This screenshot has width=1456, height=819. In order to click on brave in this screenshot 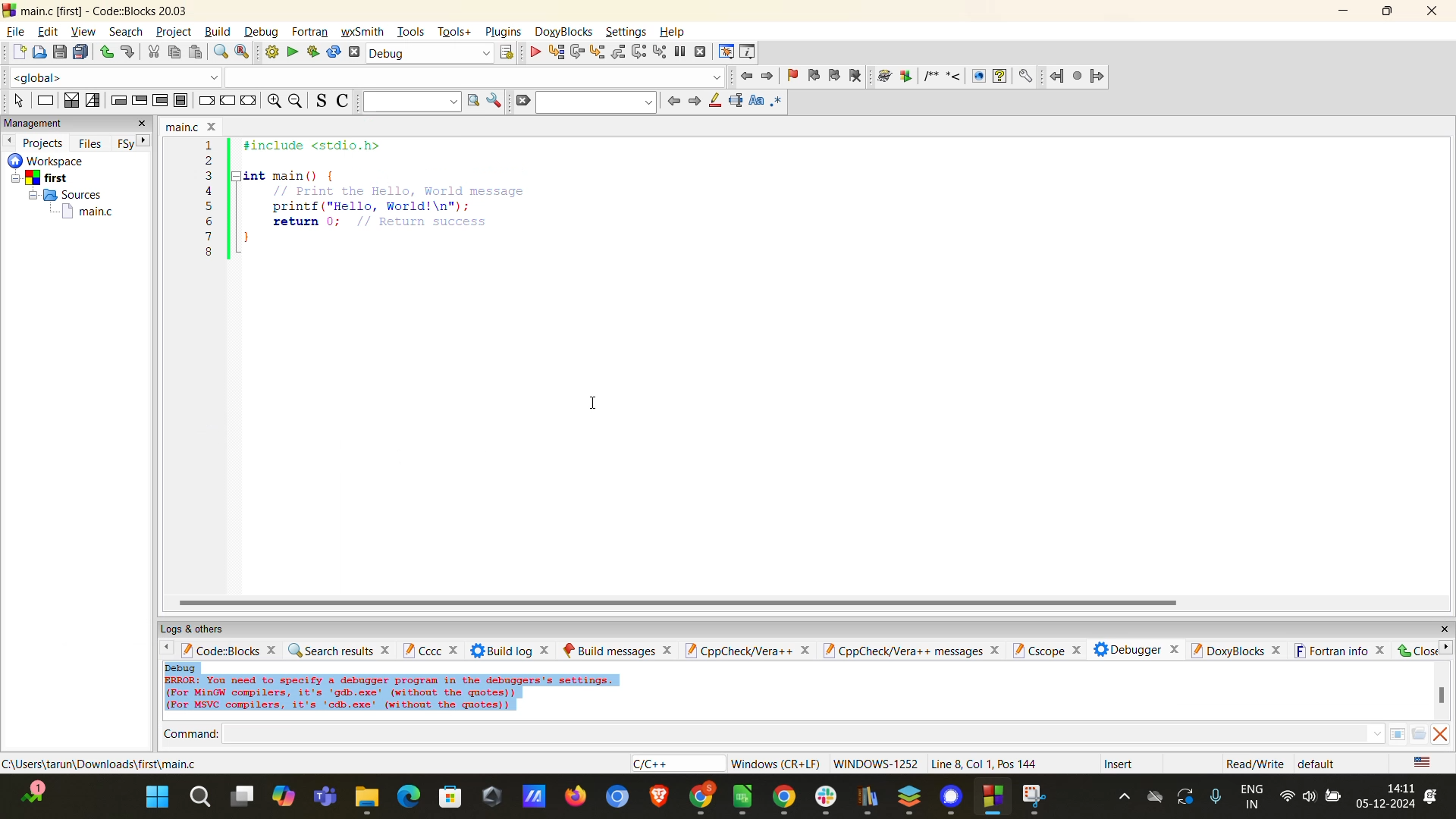, I will do `click(661, 793)`.